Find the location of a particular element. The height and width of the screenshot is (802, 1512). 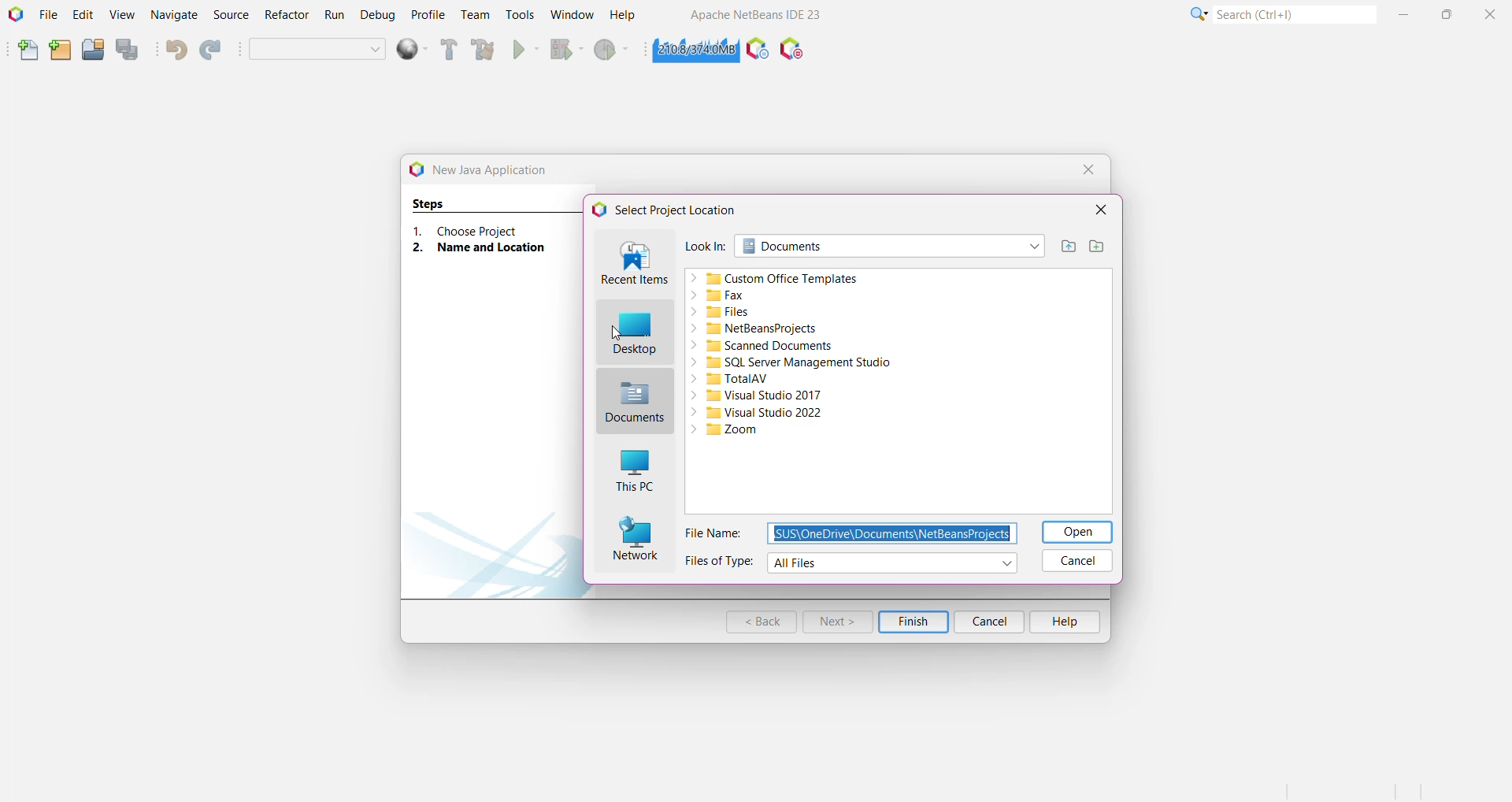

Visual Studio 2022 is located at coordinates (895, 412).